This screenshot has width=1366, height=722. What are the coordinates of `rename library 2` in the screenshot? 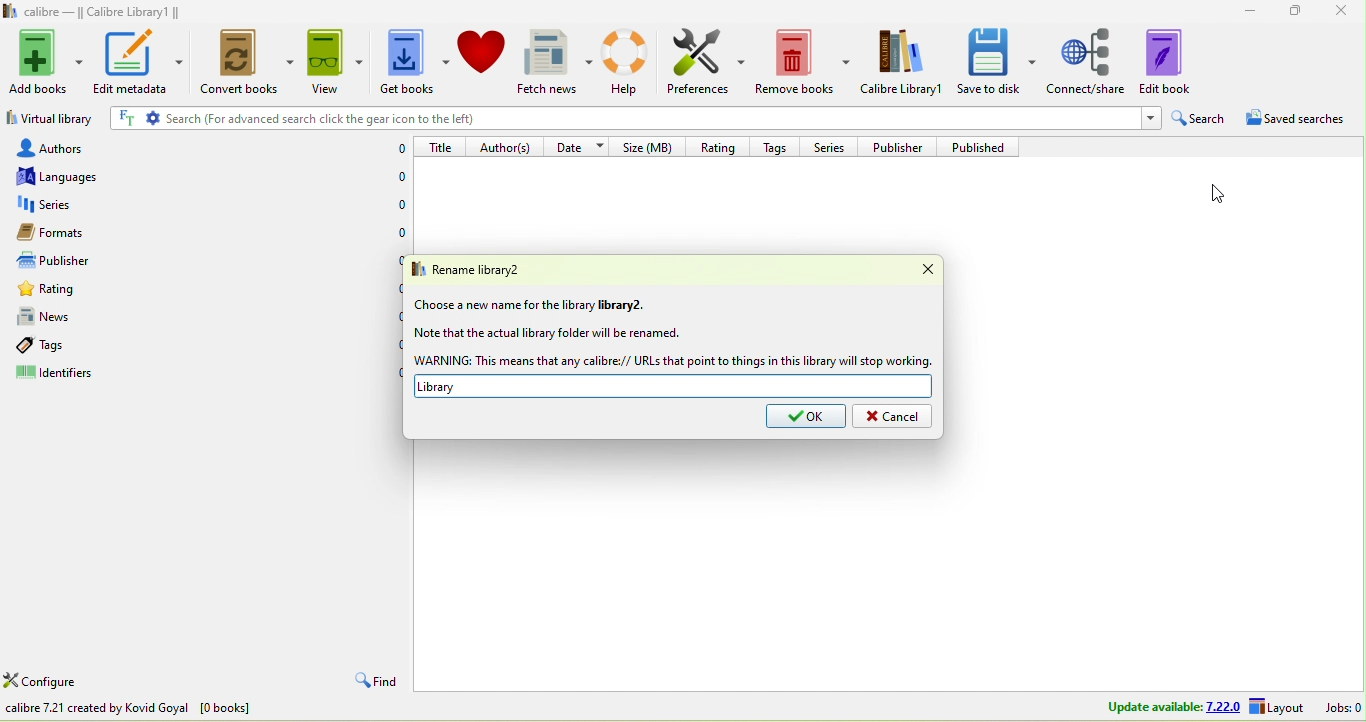 It's located at (485, 269).